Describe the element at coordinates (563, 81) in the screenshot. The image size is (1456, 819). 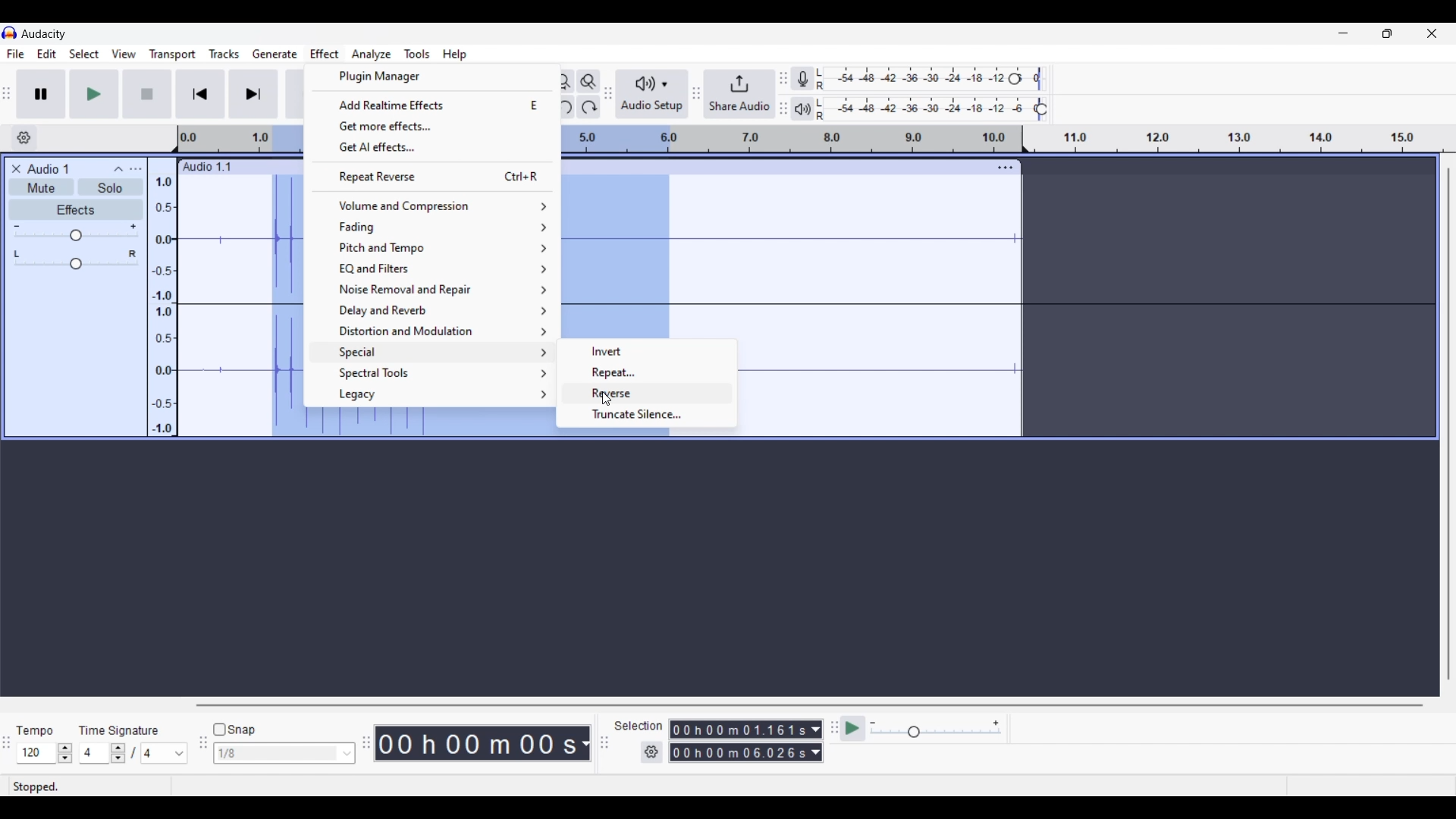
I see `Fit project to width` at that location.